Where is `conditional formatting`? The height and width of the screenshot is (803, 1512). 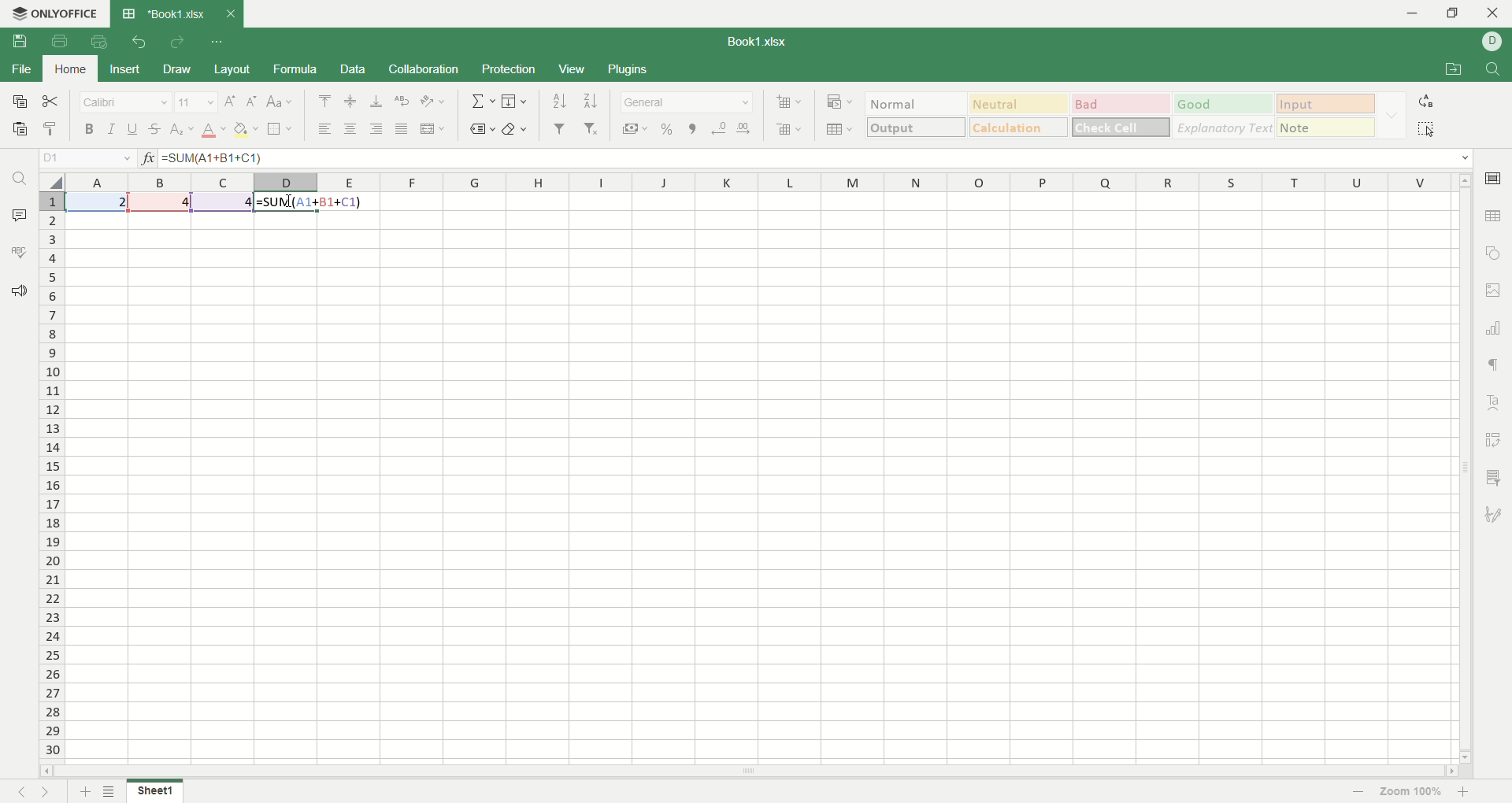 conditional formatting is located at coordinates (837, 103).